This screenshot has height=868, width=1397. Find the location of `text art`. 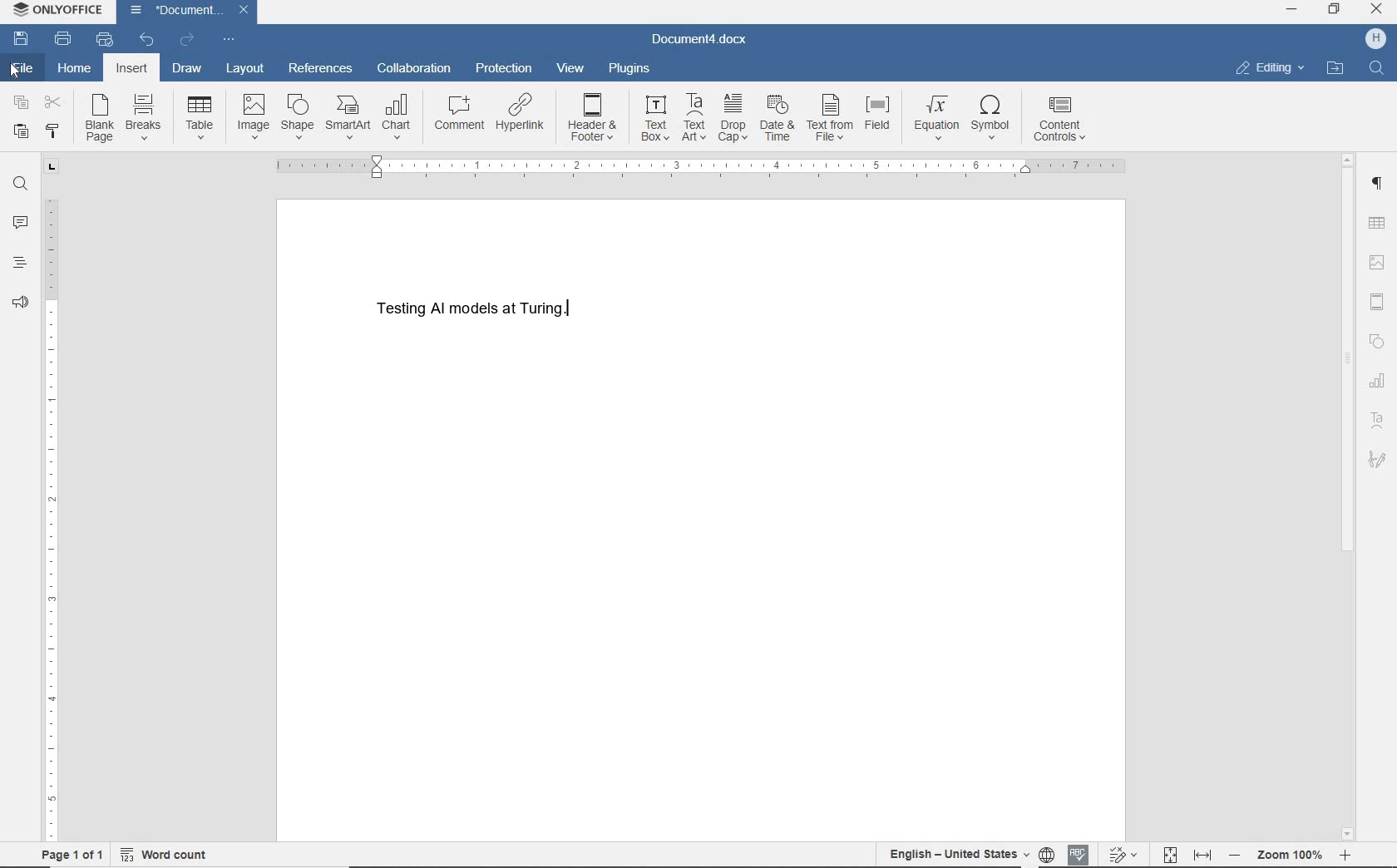

text art is located at coordinates (1378, 420).